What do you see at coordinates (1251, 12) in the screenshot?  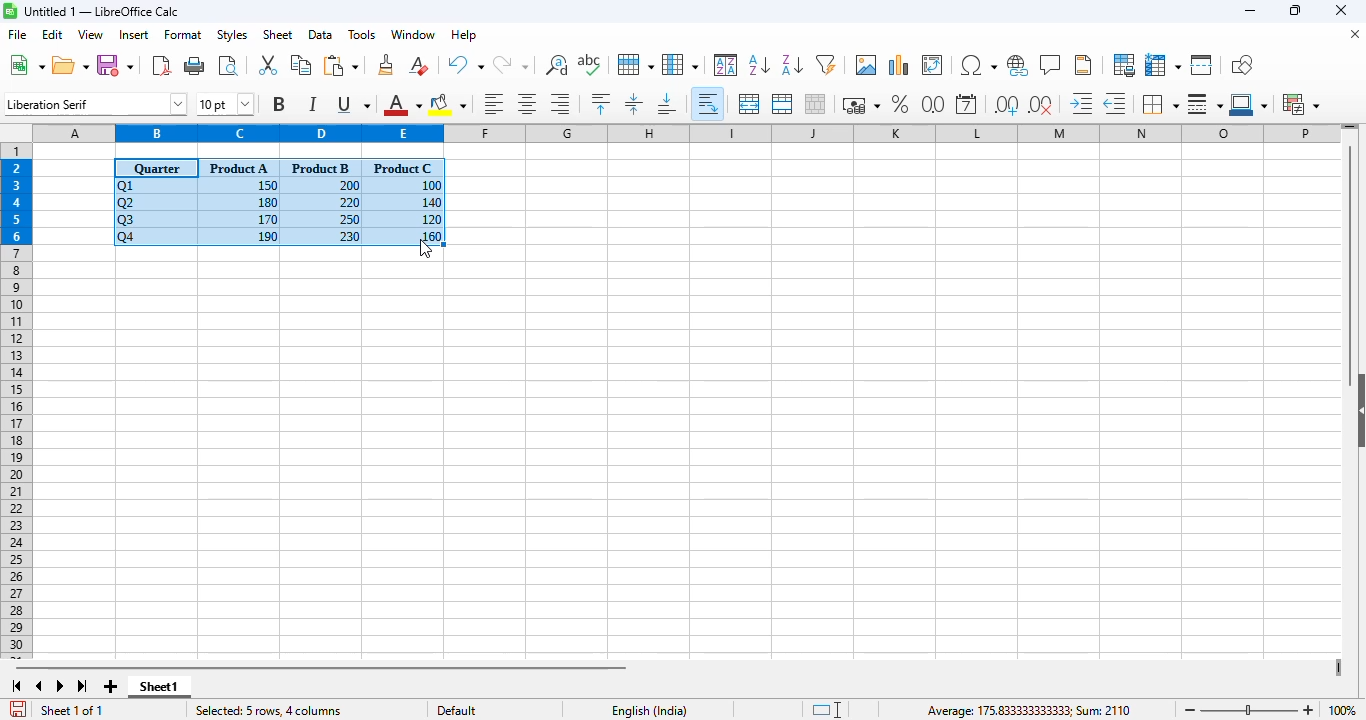 I see `minimize` at bounding box center [1251, 12].